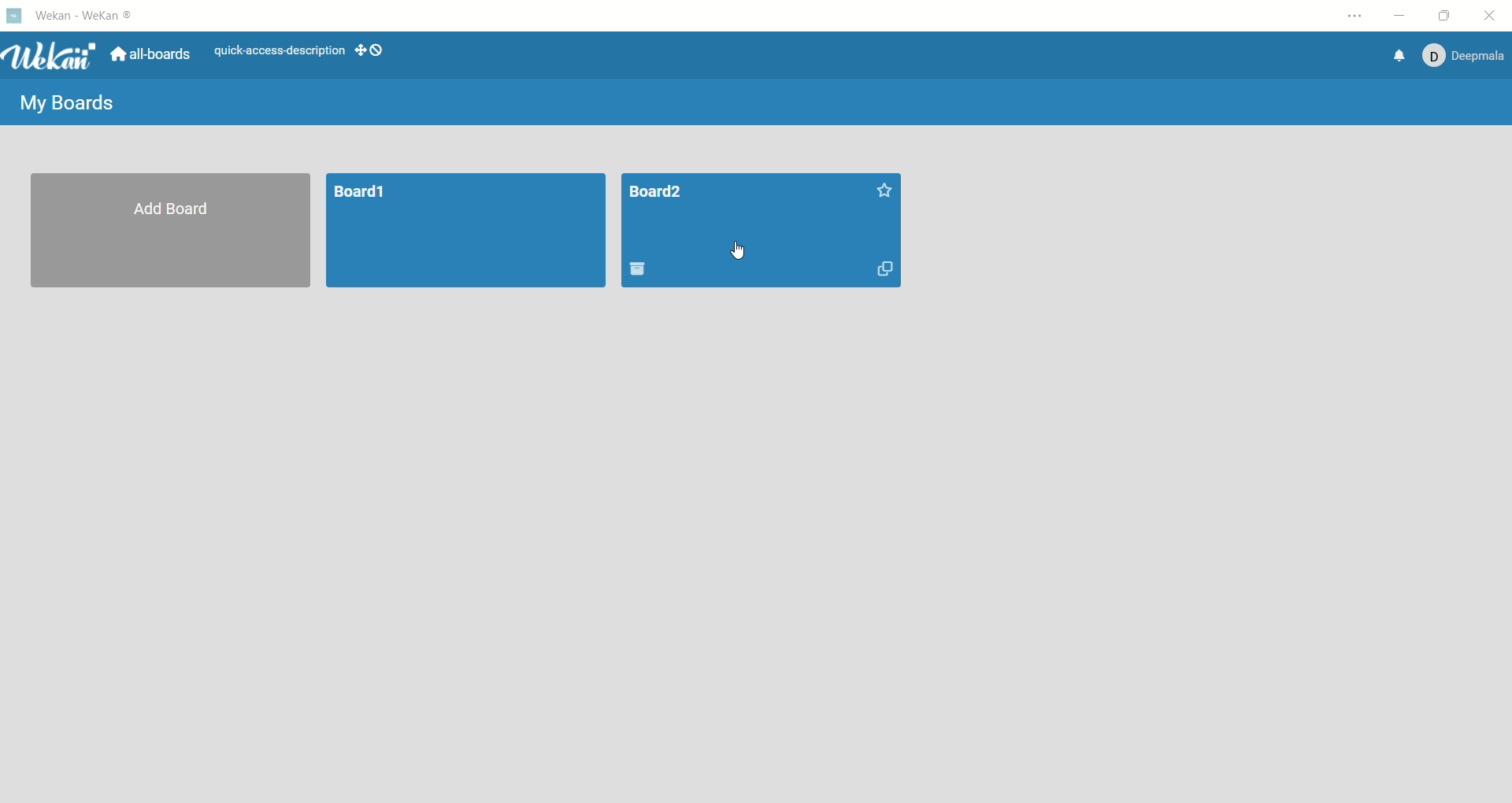 The height and width of the screenshot is (803, 1512). Describe the element at coordinates (665, 191) in the screenshot. I see `title` at that location.